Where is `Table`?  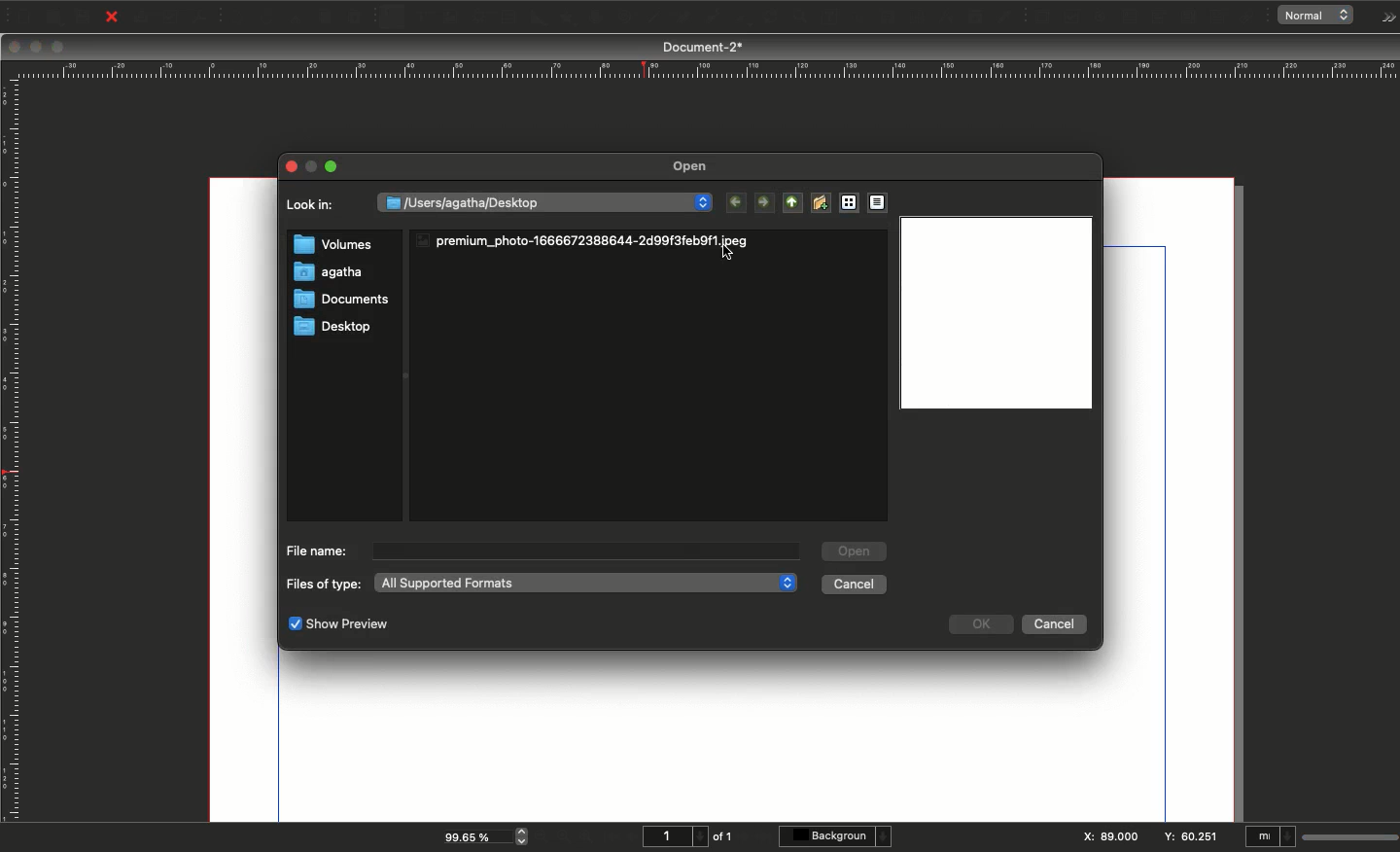 Table is located at coordinates (507, 18).